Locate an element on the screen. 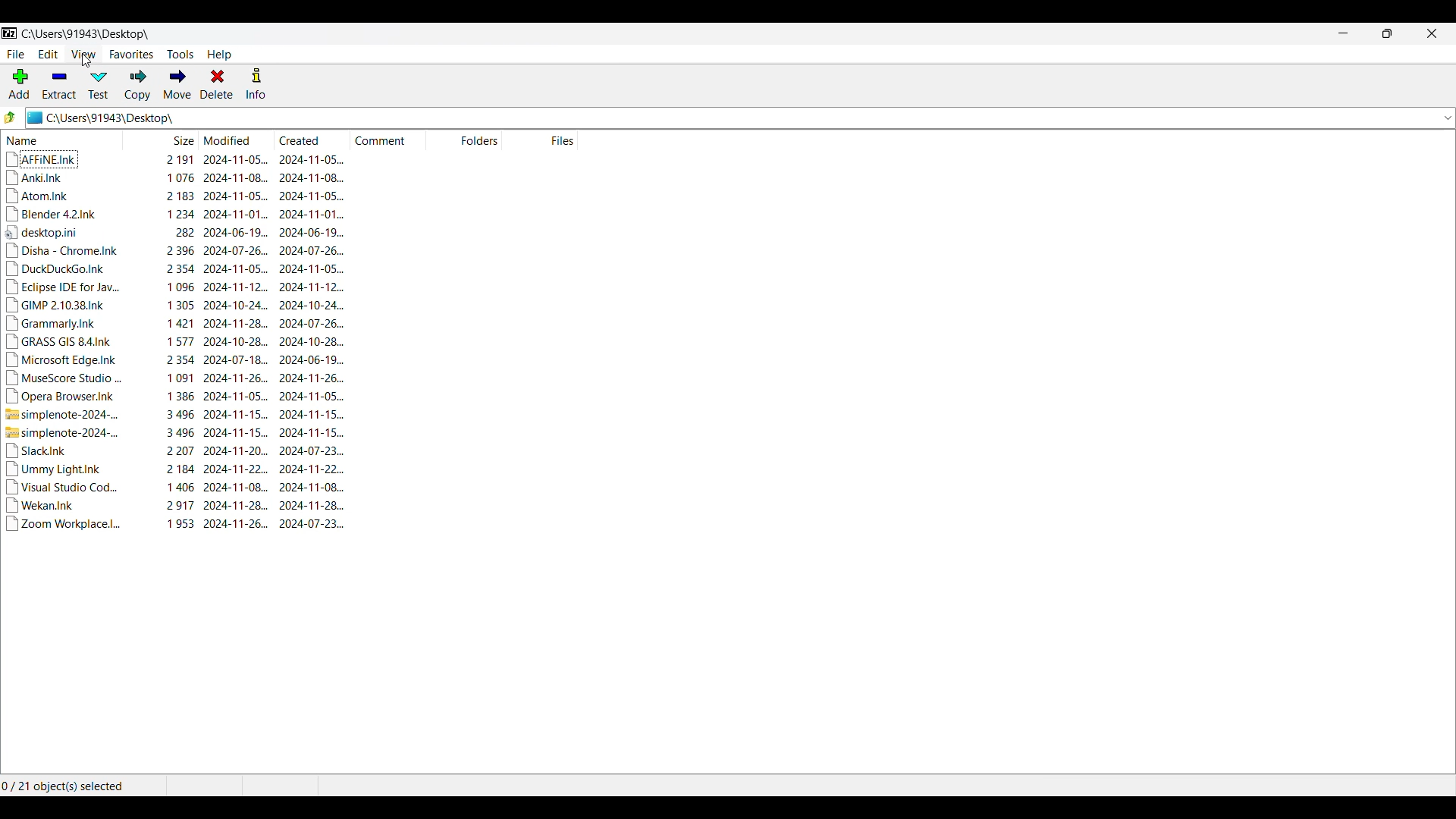  simplenote-2024-... 3496 2024-11-15... 2024-11-15... is located at coordinates (183, 432).